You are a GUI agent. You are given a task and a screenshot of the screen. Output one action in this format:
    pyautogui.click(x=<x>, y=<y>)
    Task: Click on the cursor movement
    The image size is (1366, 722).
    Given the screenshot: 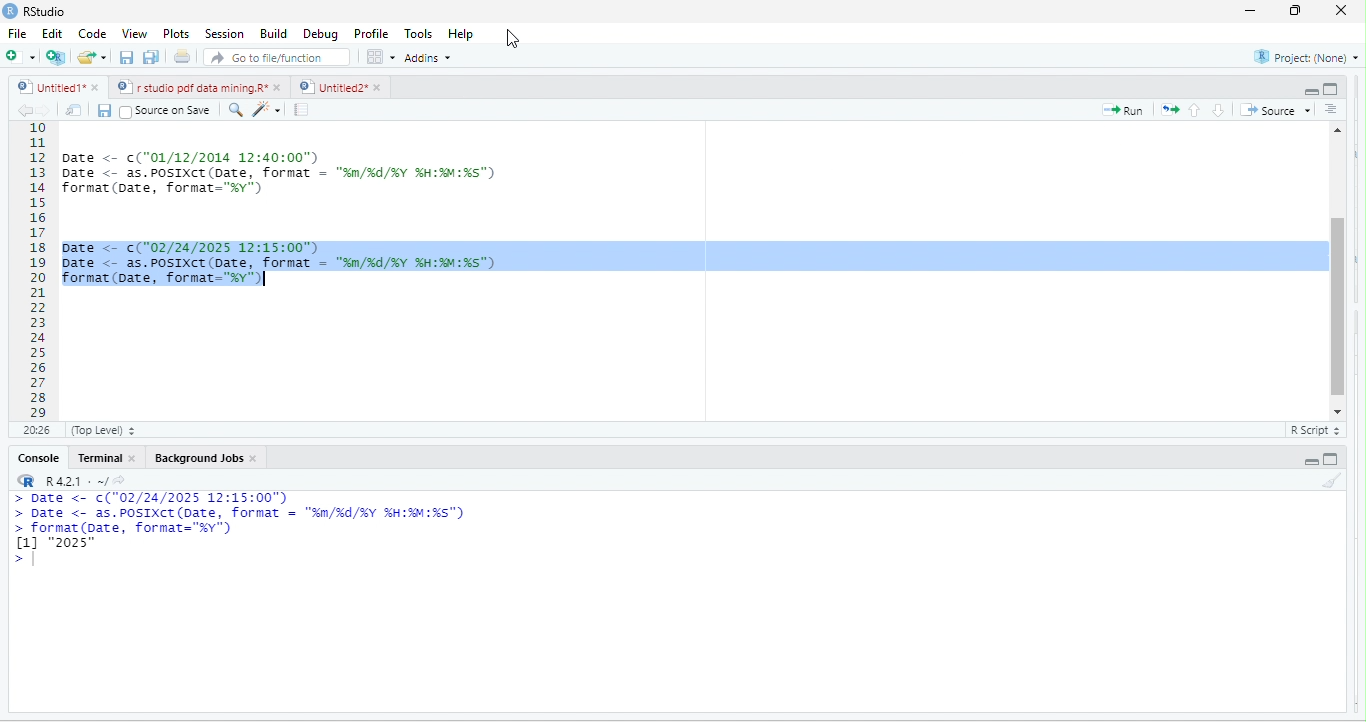 What is the action you would take?
    pyautogui.click(x=511, y=42)
    